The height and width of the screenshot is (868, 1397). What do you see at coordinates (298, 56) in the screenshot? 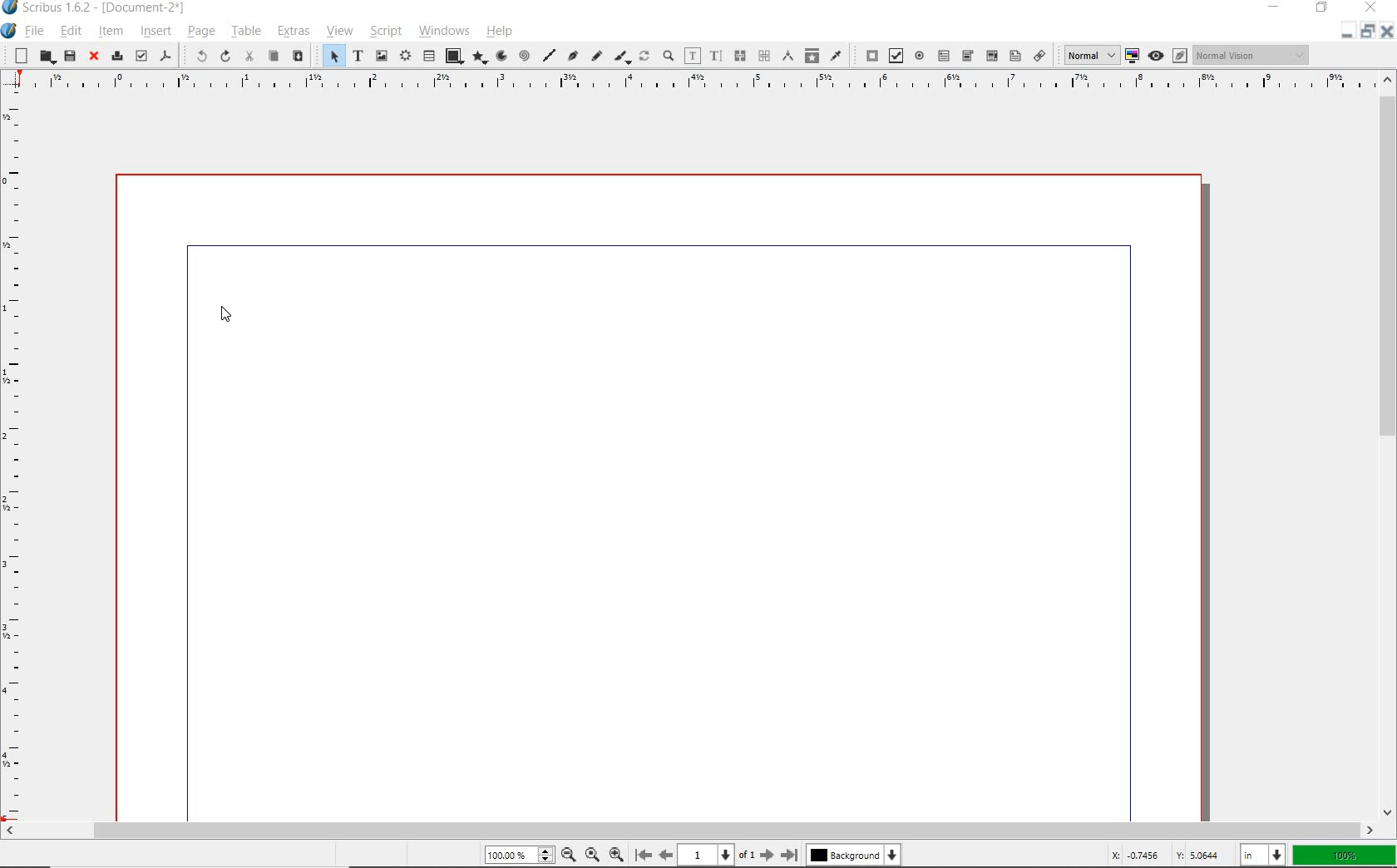
I see `paste` at bounding box center [298, 56].